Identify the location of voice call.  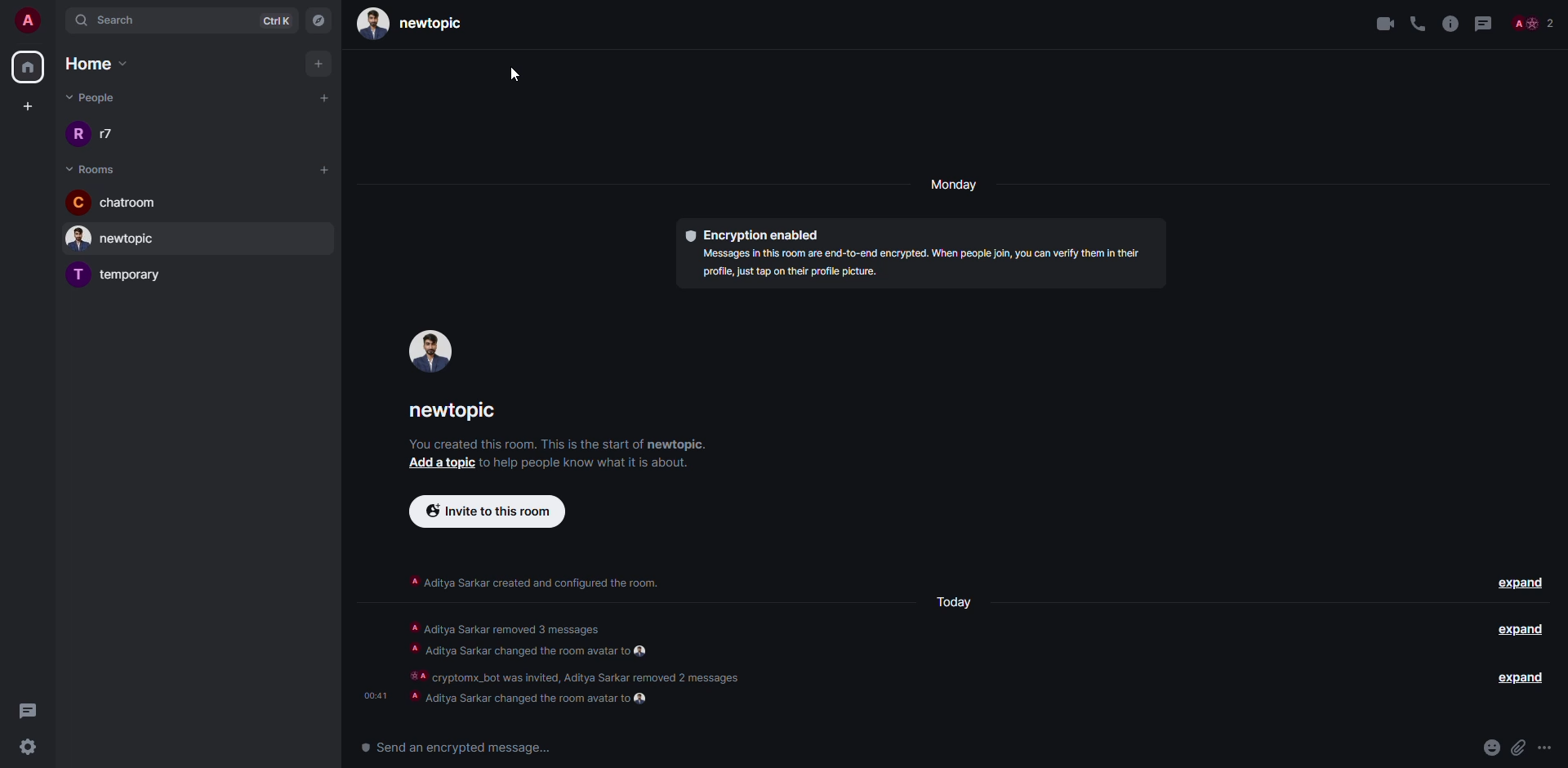
(1417, 22).